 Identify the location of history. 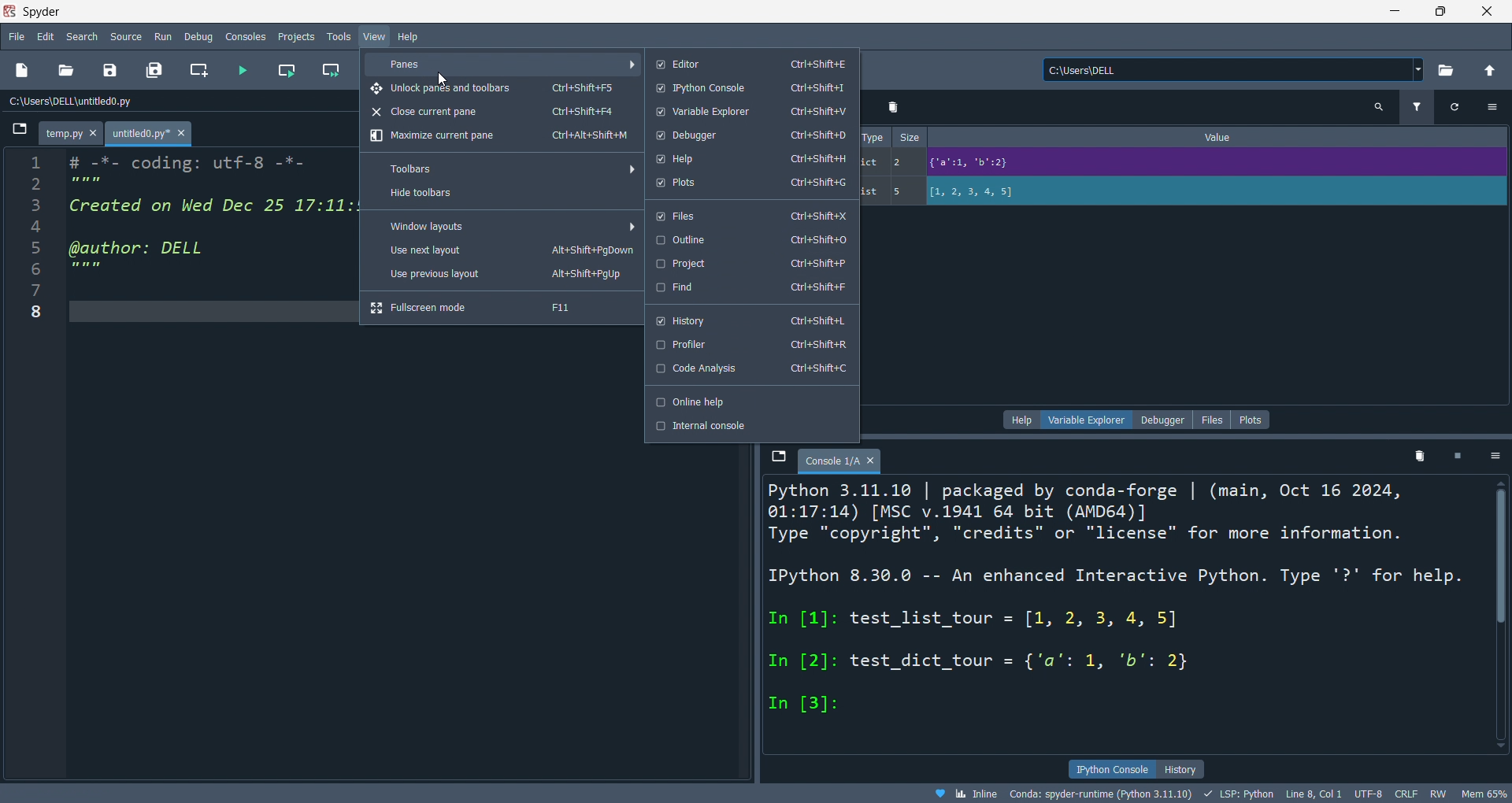
(1184, 768).